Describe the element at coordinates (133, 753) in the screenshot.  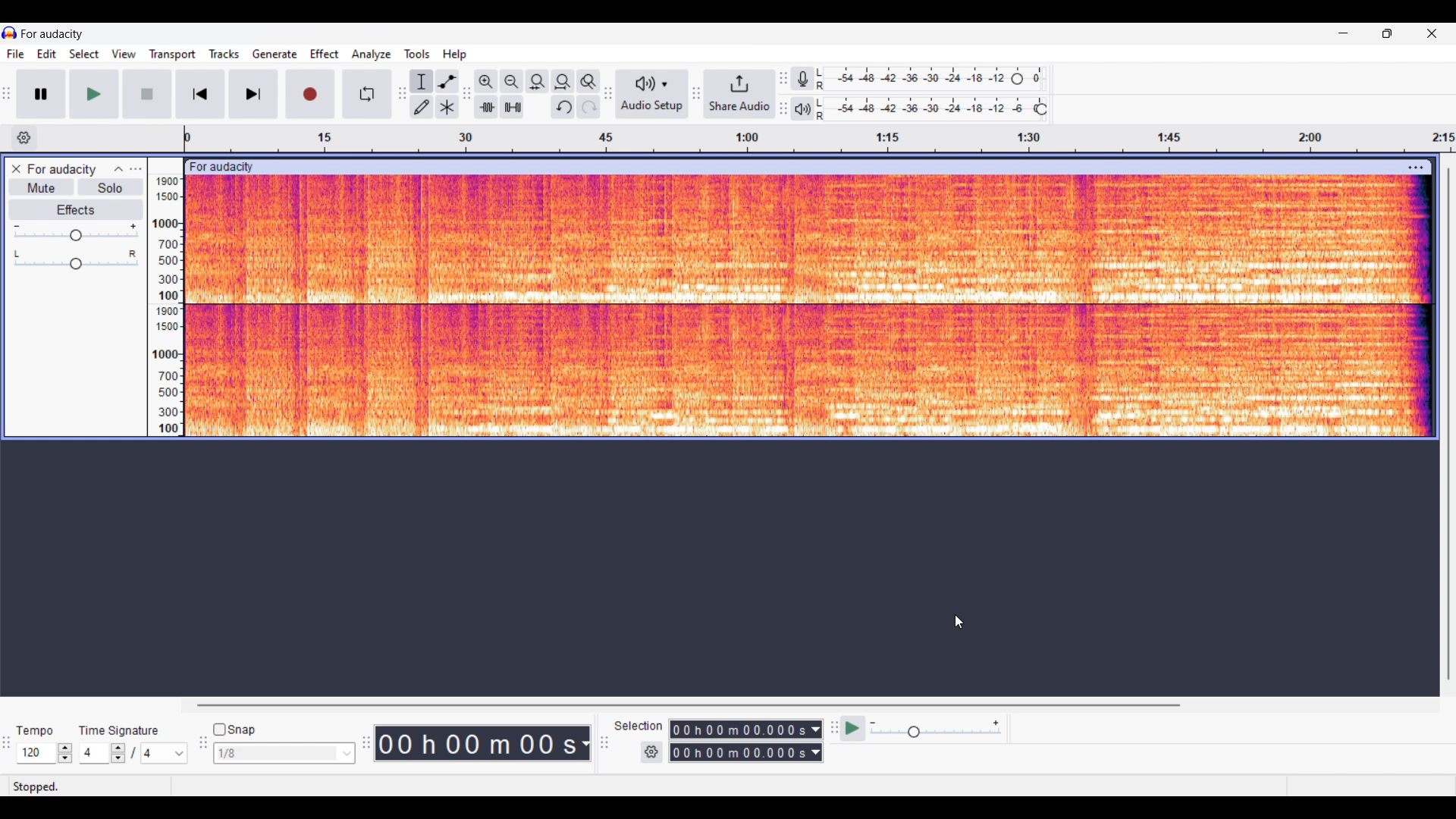
I see `Time signature settings` at that location.